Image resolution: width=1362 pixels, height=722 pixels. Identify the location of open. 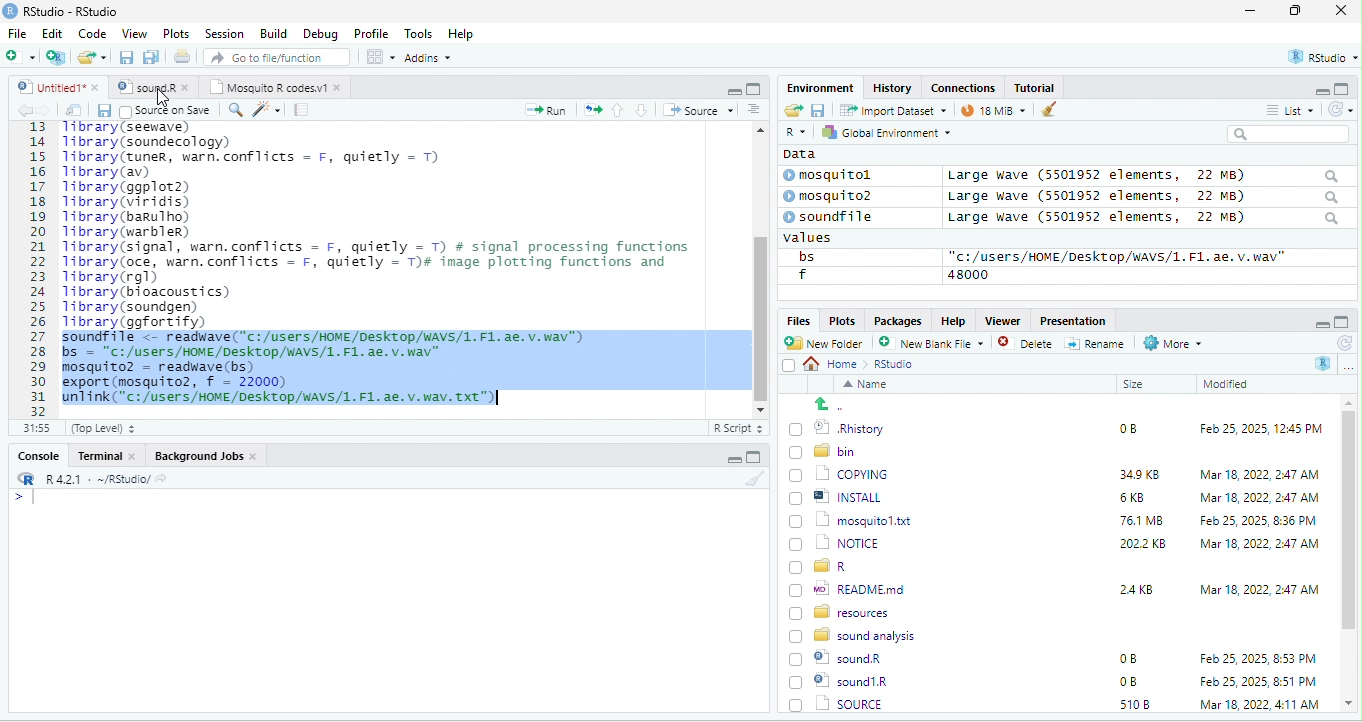
(593, 108).